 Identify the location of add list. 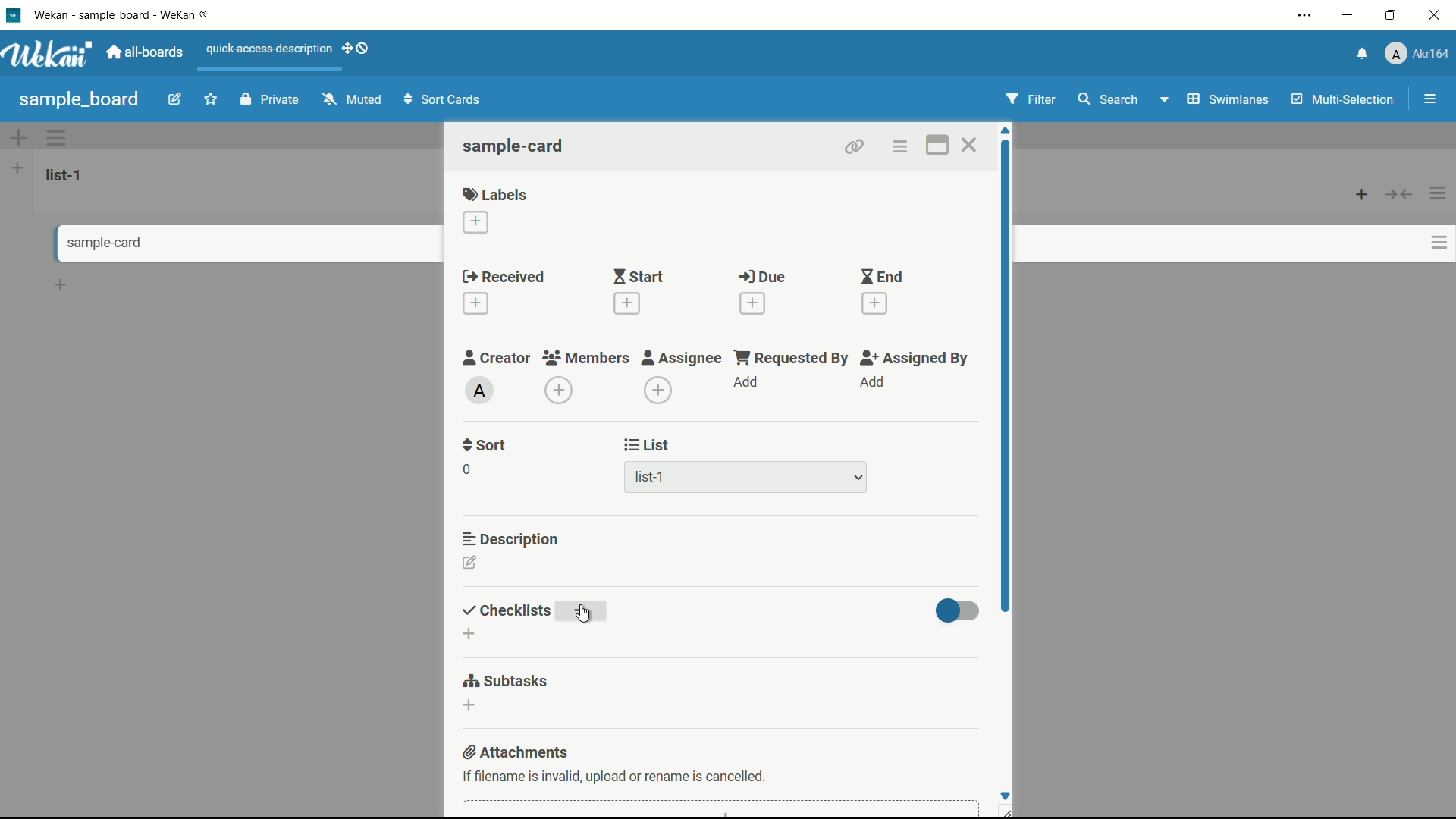
(17, 168).